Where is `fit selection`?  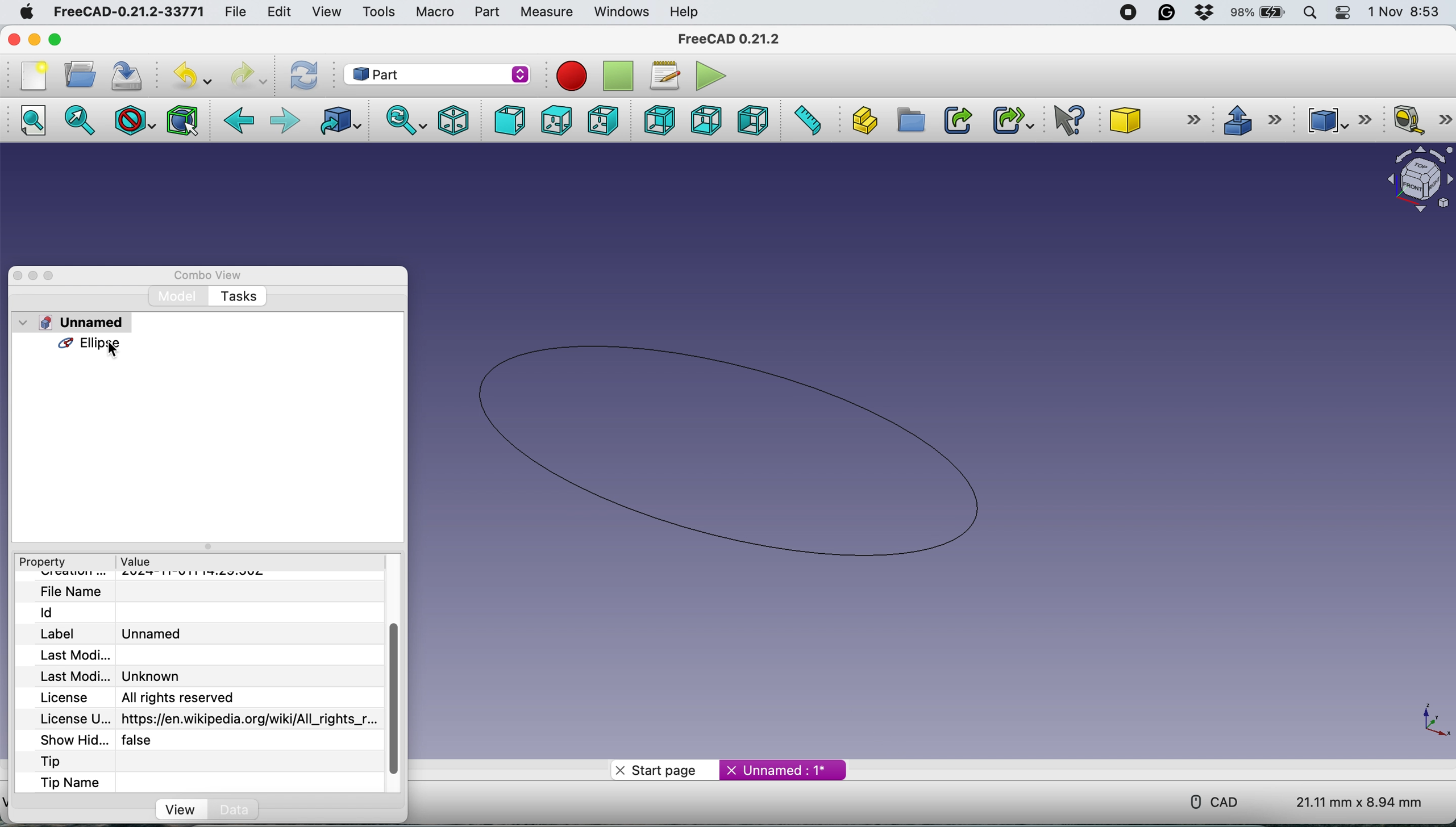
fit selection is located at coordinates (80, 120).